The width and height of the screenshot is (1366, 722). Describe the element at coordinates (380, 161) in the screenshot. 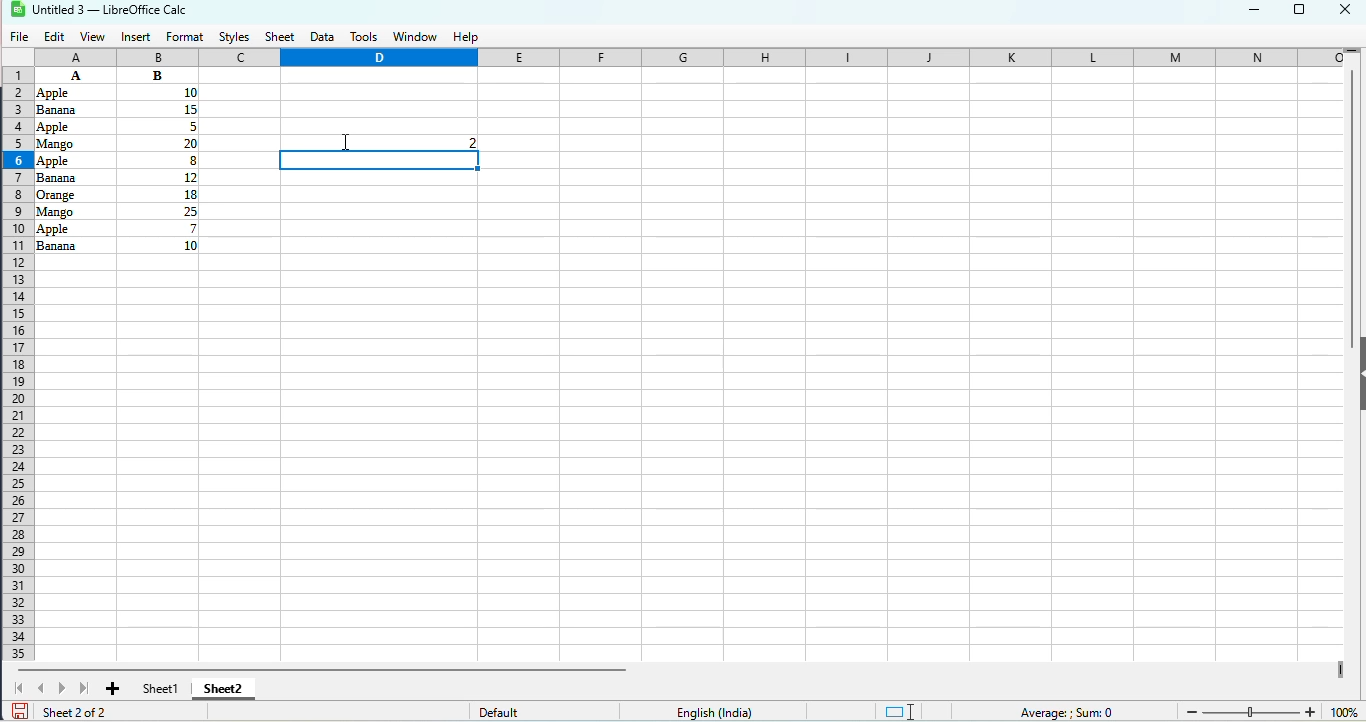

I see `current cell` at that location.